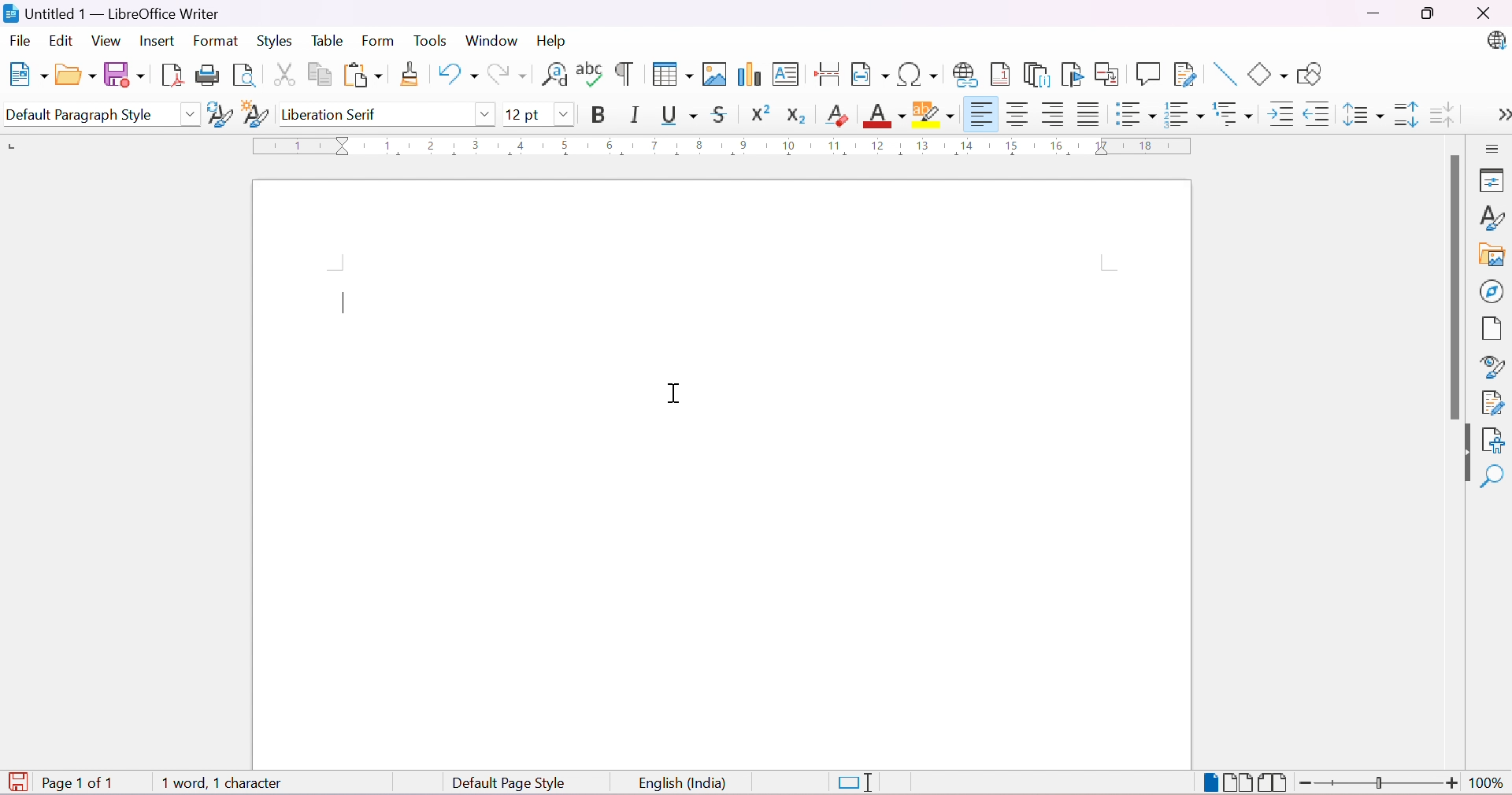  Describe the element at coordinates (82, 784) in the screenshot. I see `Page 1 of 1` at that location.